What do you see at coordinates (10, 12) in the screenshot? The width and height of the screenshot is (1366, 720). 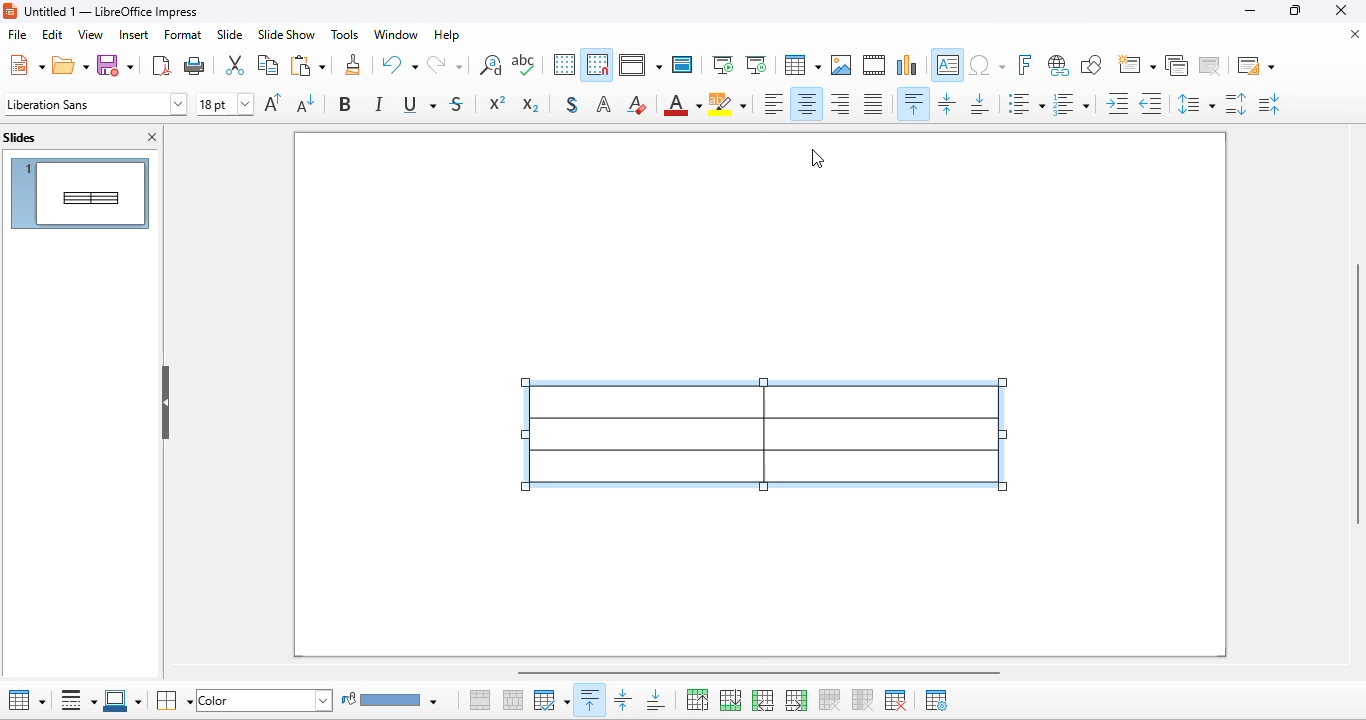 I see `logo` at bounding box center [10, 12].